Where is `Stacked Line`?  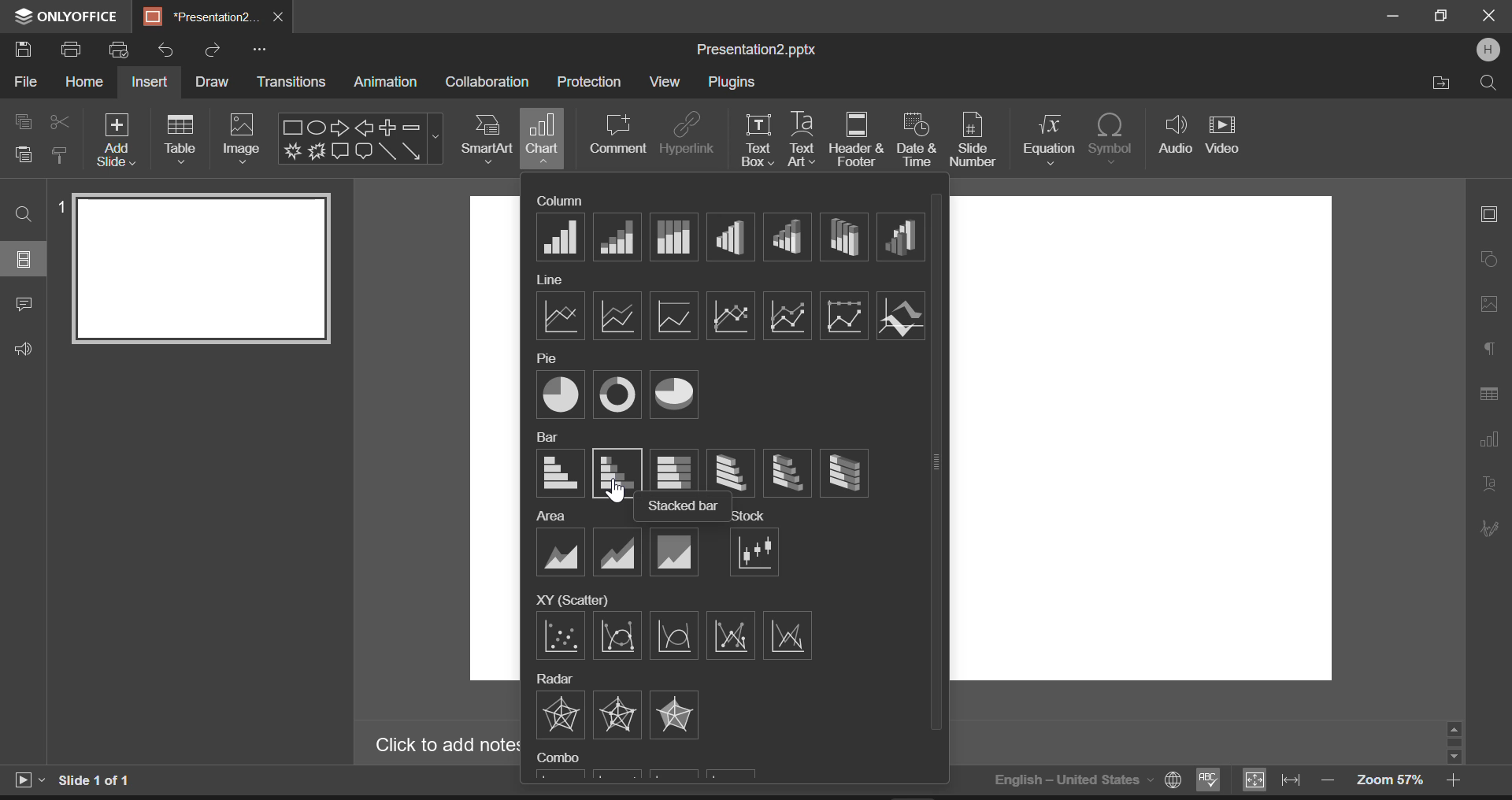
Stacked Line is located at coordinates (618, 317).